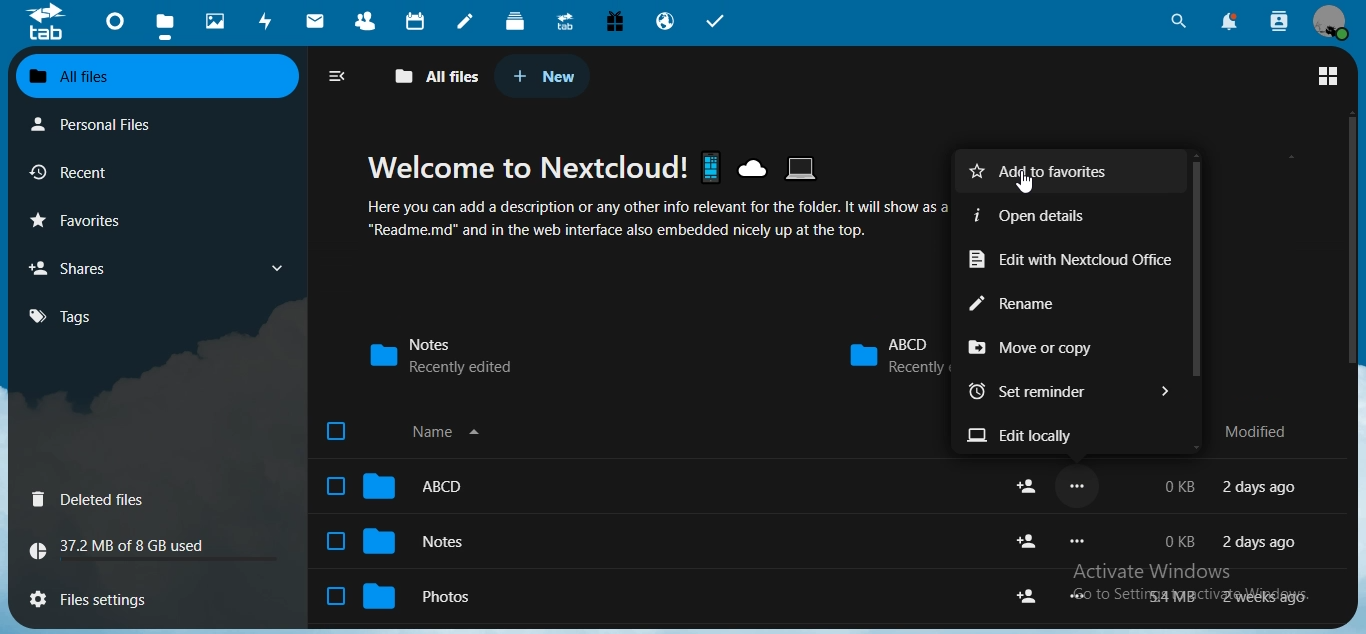  What do you see at coordinates (417, 20) in the screenshot?
I see `calendar` at bounding box center [417, 20].